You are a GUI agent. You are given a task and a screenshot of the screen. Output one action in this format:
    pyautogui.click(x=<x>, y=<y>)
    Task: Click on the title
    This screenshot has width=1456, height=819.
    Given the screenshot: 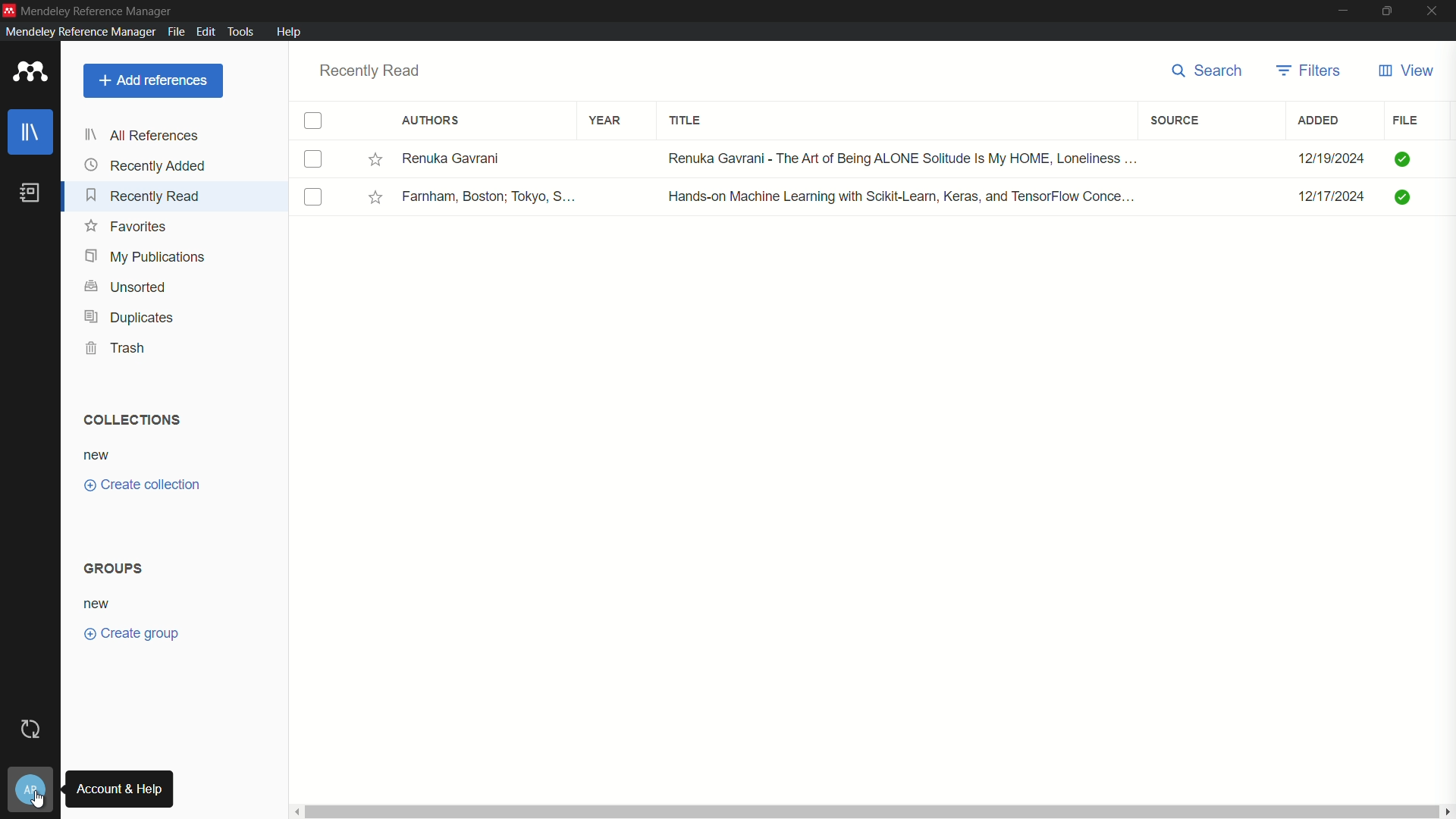 What is the action you would take?
    pyautogui.click(x=688, y=120)
    